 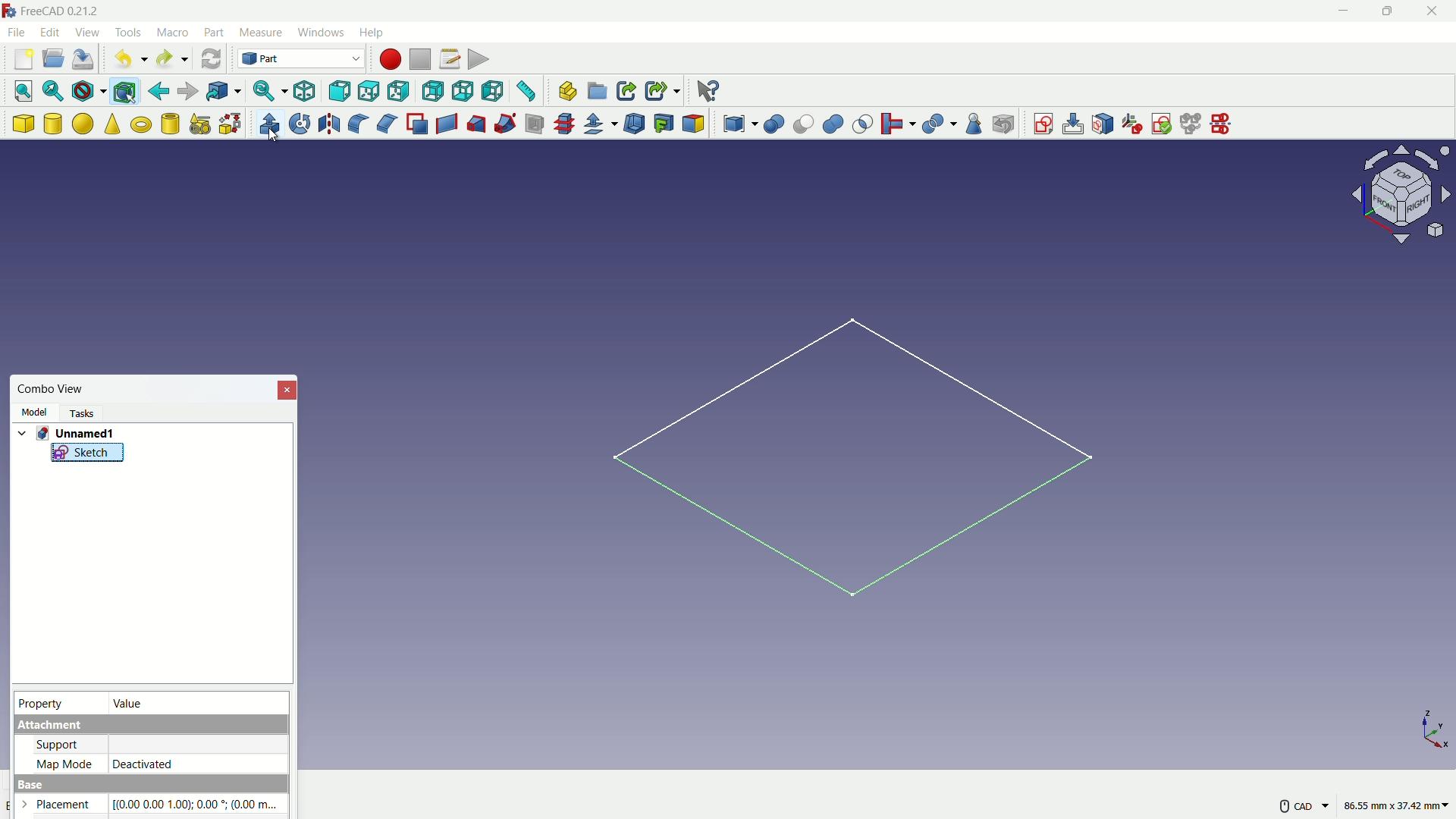 What do you see at coordinates (149, 783) in the screenshot?
I see `Base` at bounding box center [149, 783].